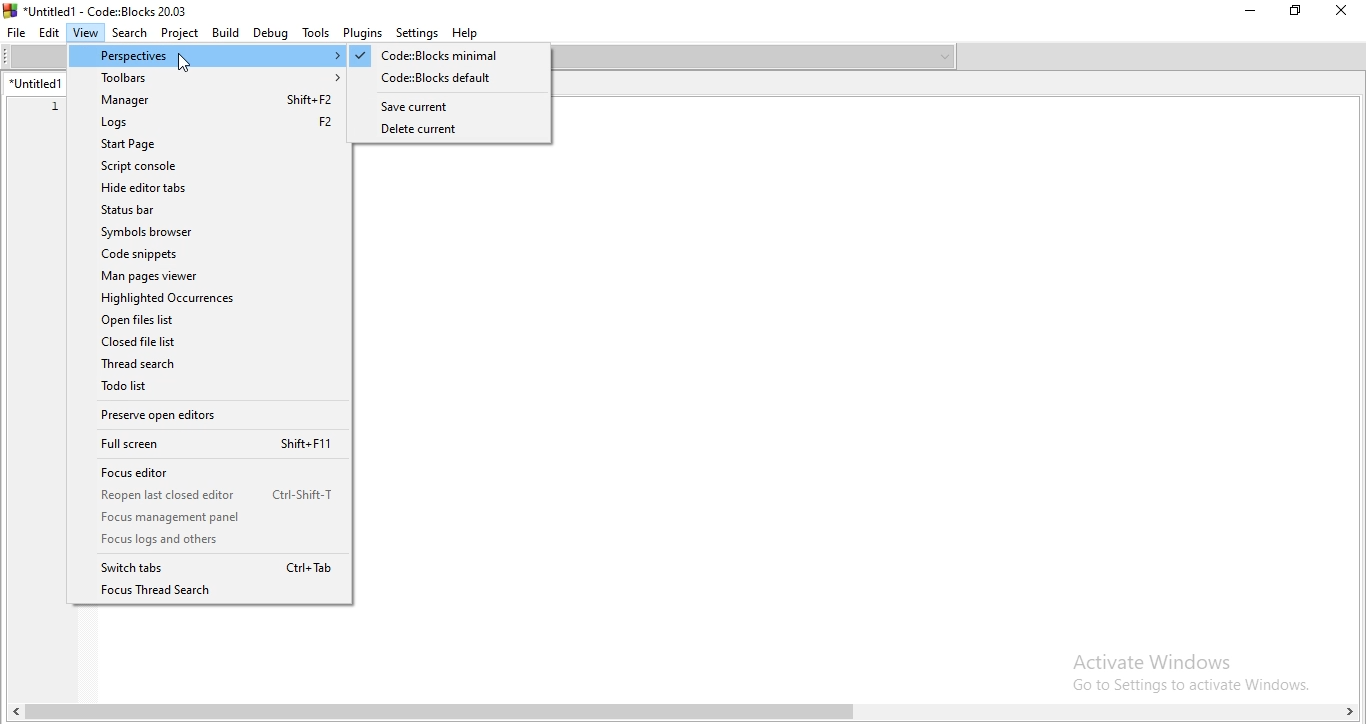  I want to click on *Untitled! - Code::Blocks 20.03, so click(100, 10).